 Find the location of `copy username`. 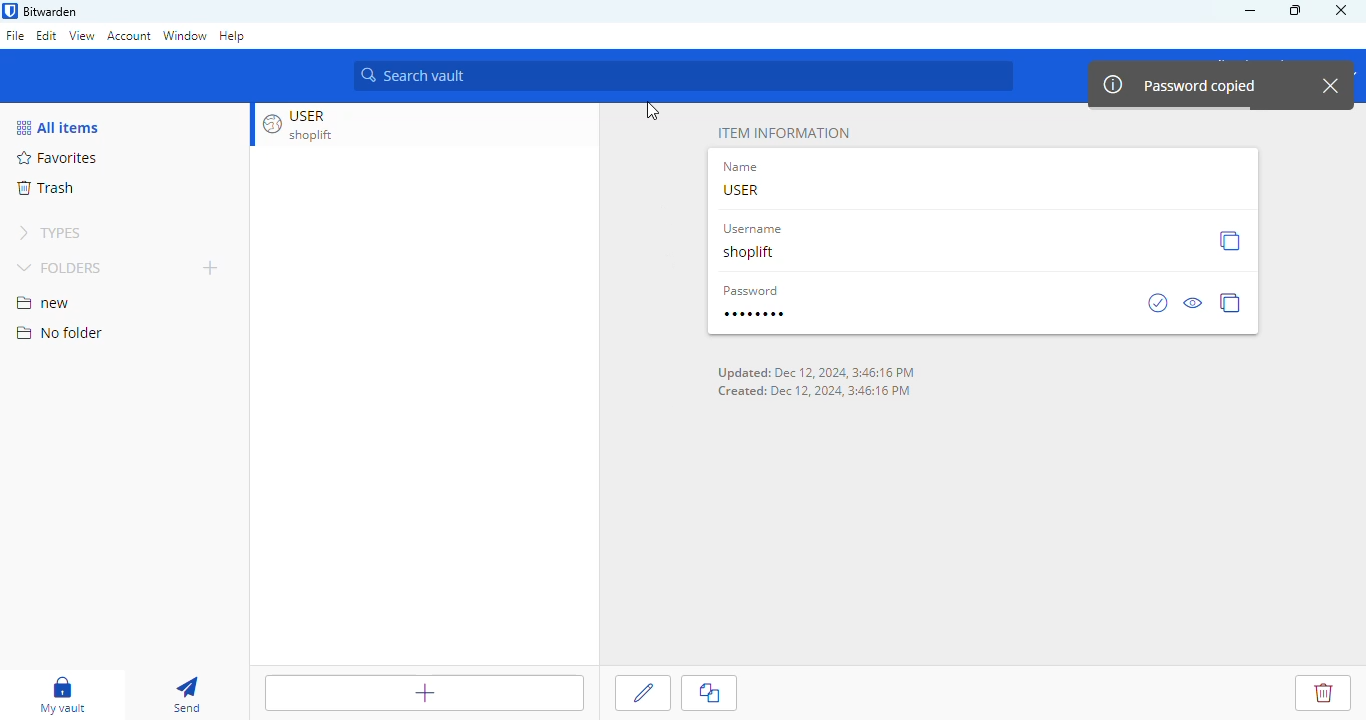

copy username is located at coordinates (1229, 240).